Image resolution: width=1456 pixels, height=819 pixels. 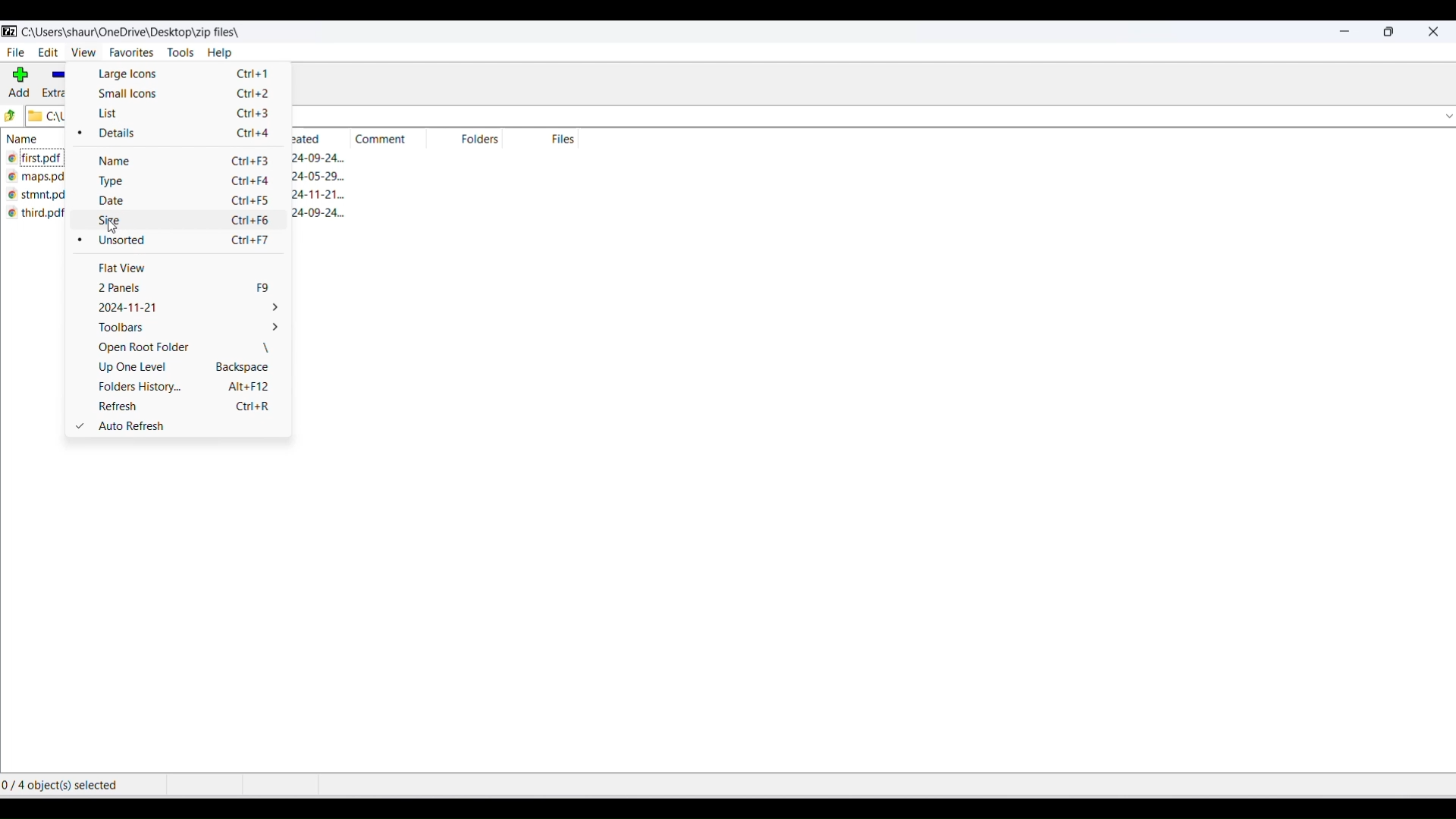 What do you see at coordinates (39, 180) in the screenshot?
I see `file name` at bounding box center [39, 180].